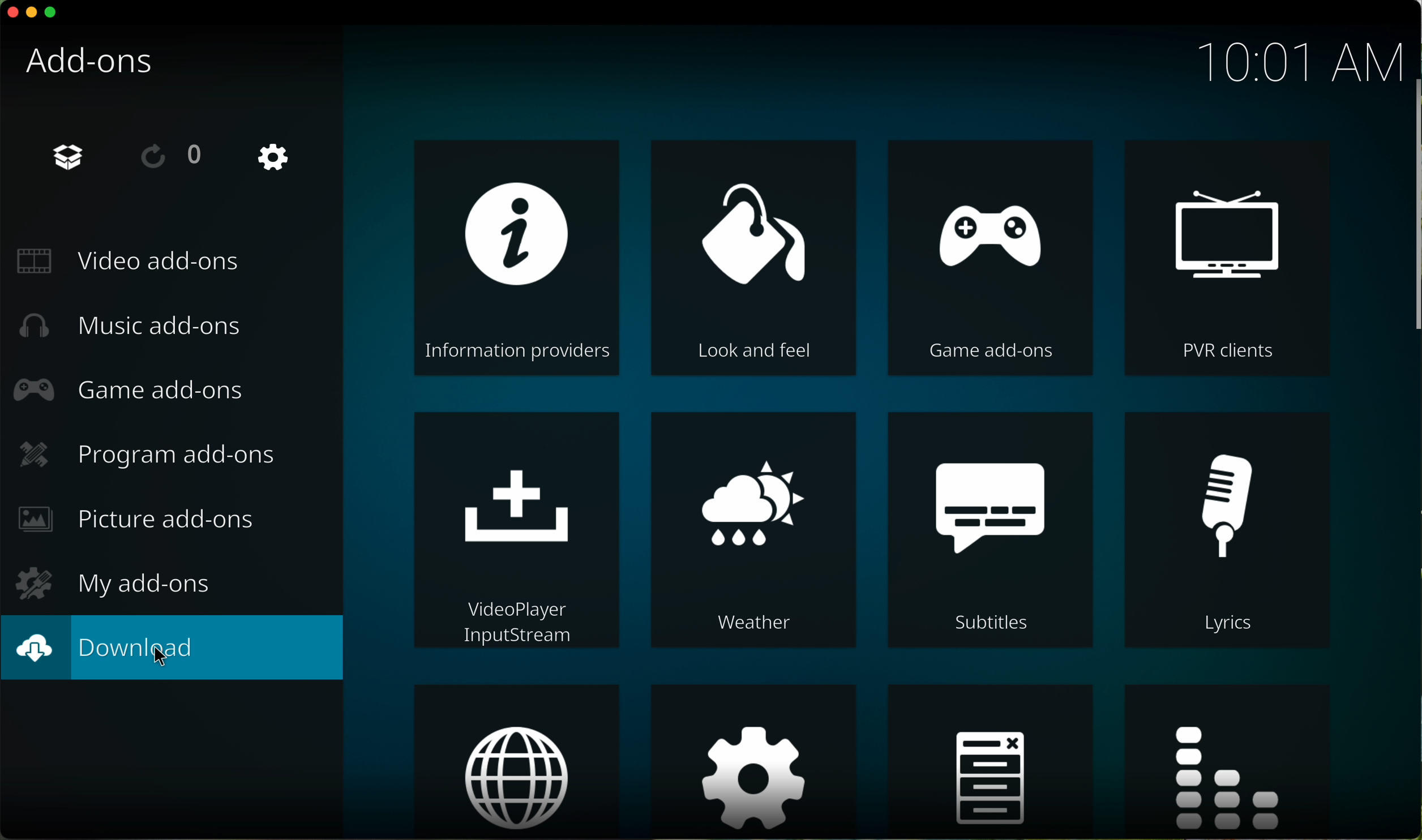  I want to click on my add-ons, so click(111, 581).